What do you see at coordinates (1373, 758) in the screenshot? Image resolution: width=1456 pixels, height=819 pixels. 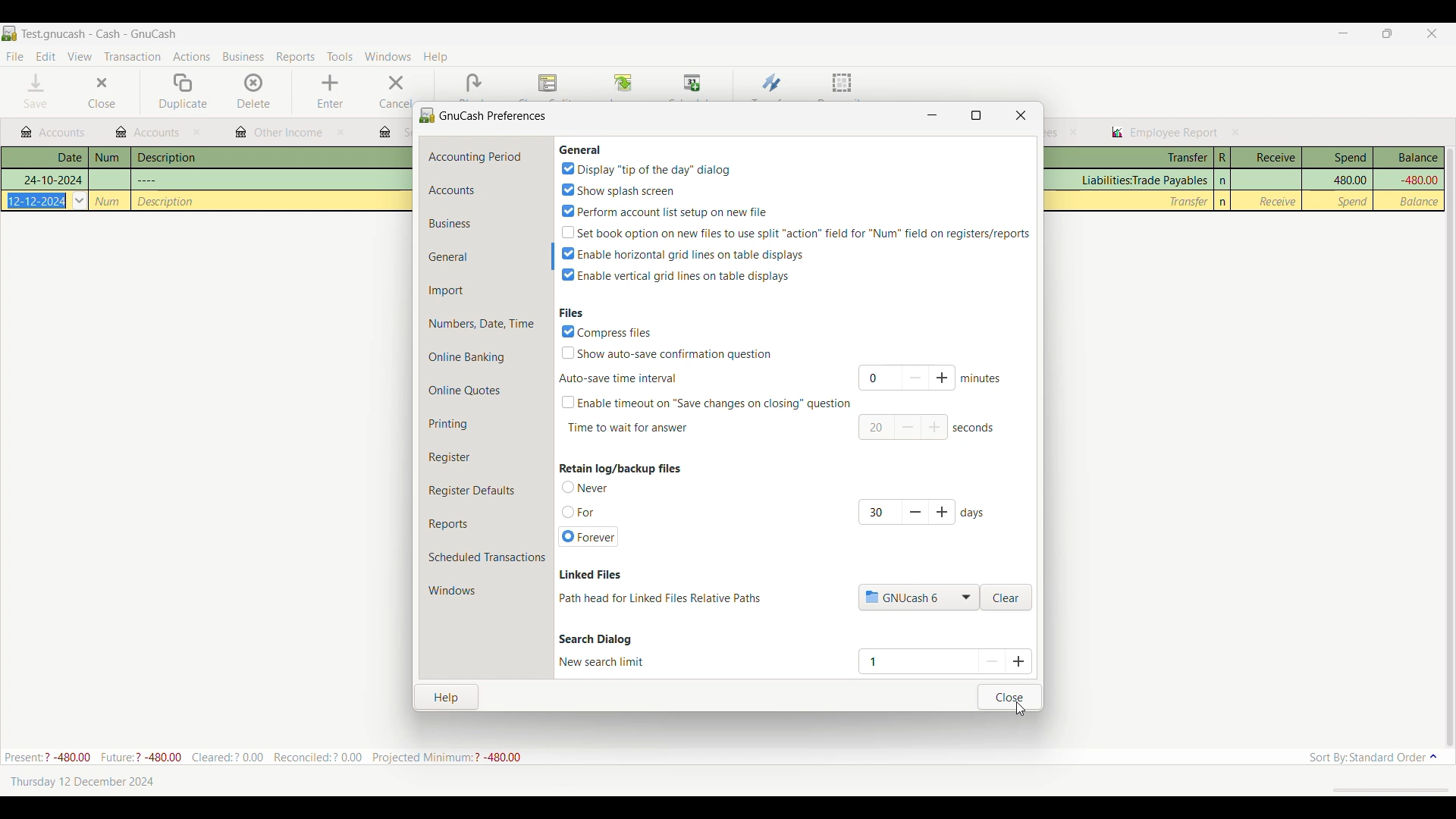 I see `Current sort order` at bounding box center [1373, 758].